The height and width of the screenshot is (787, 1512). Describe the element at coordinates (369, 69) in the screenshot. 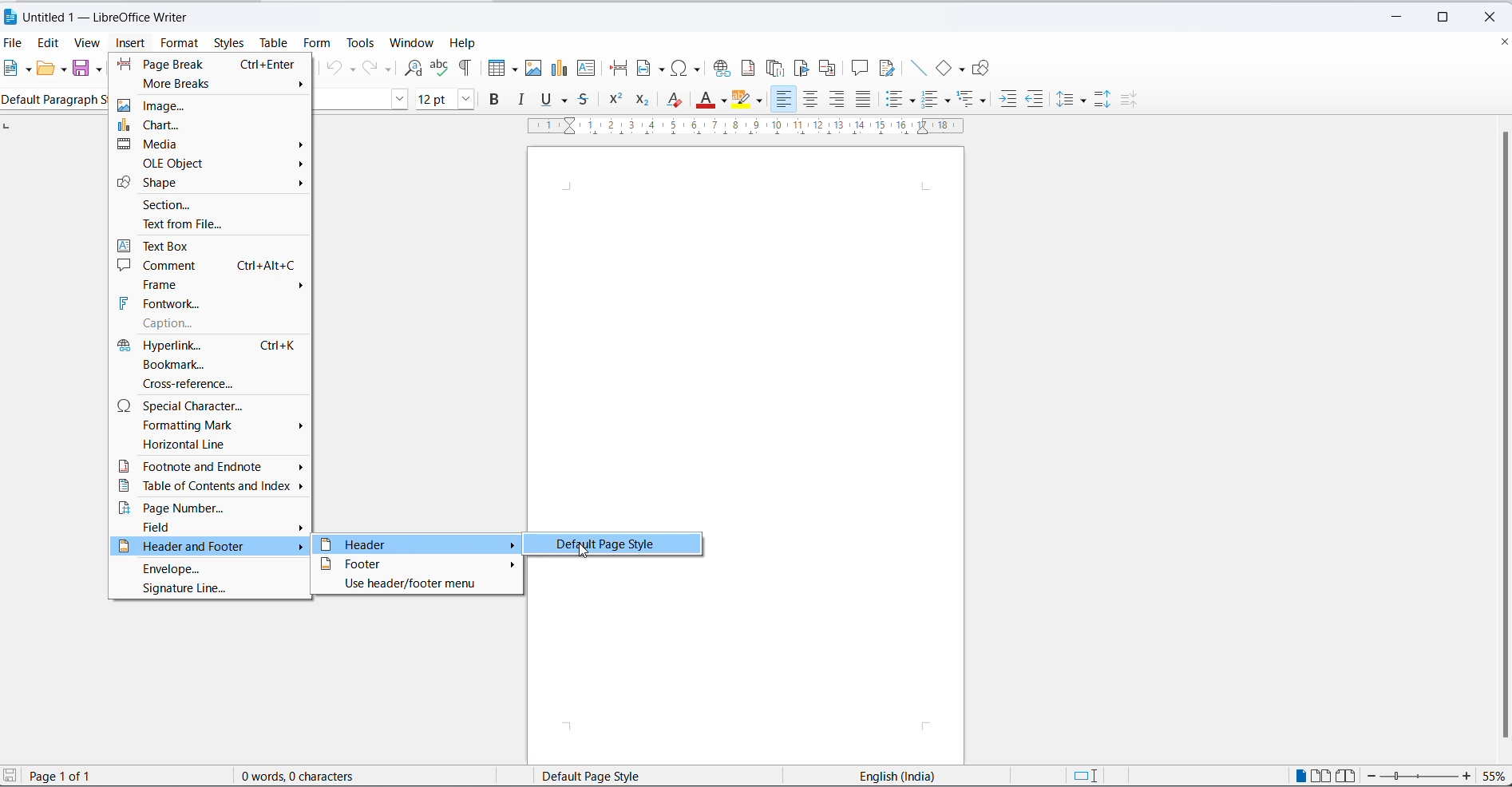

I see `redo` at that location.